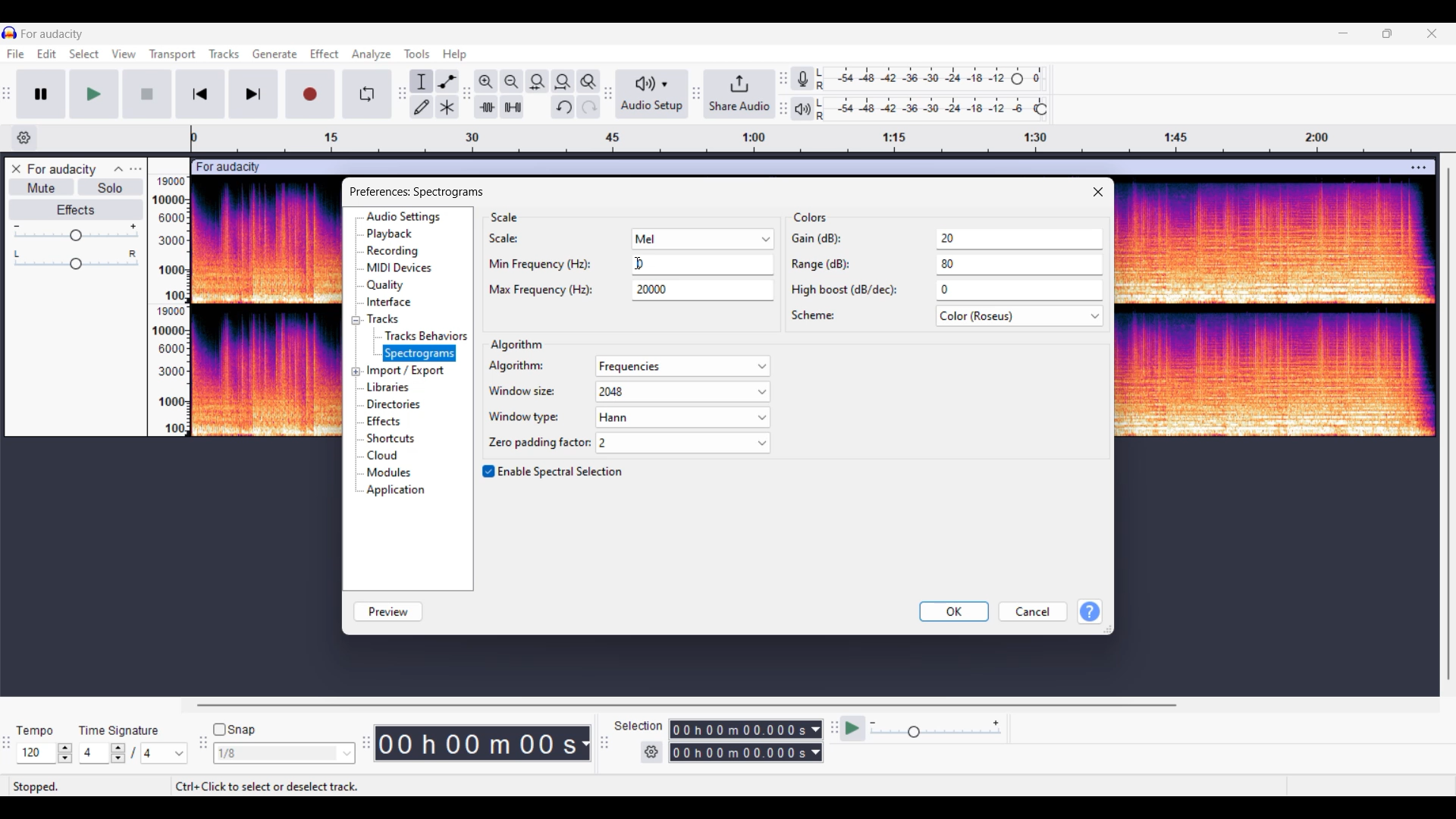  Describe the element at coordinates (447, 82) in the screenshot. I see `Envelop tool` at that location.